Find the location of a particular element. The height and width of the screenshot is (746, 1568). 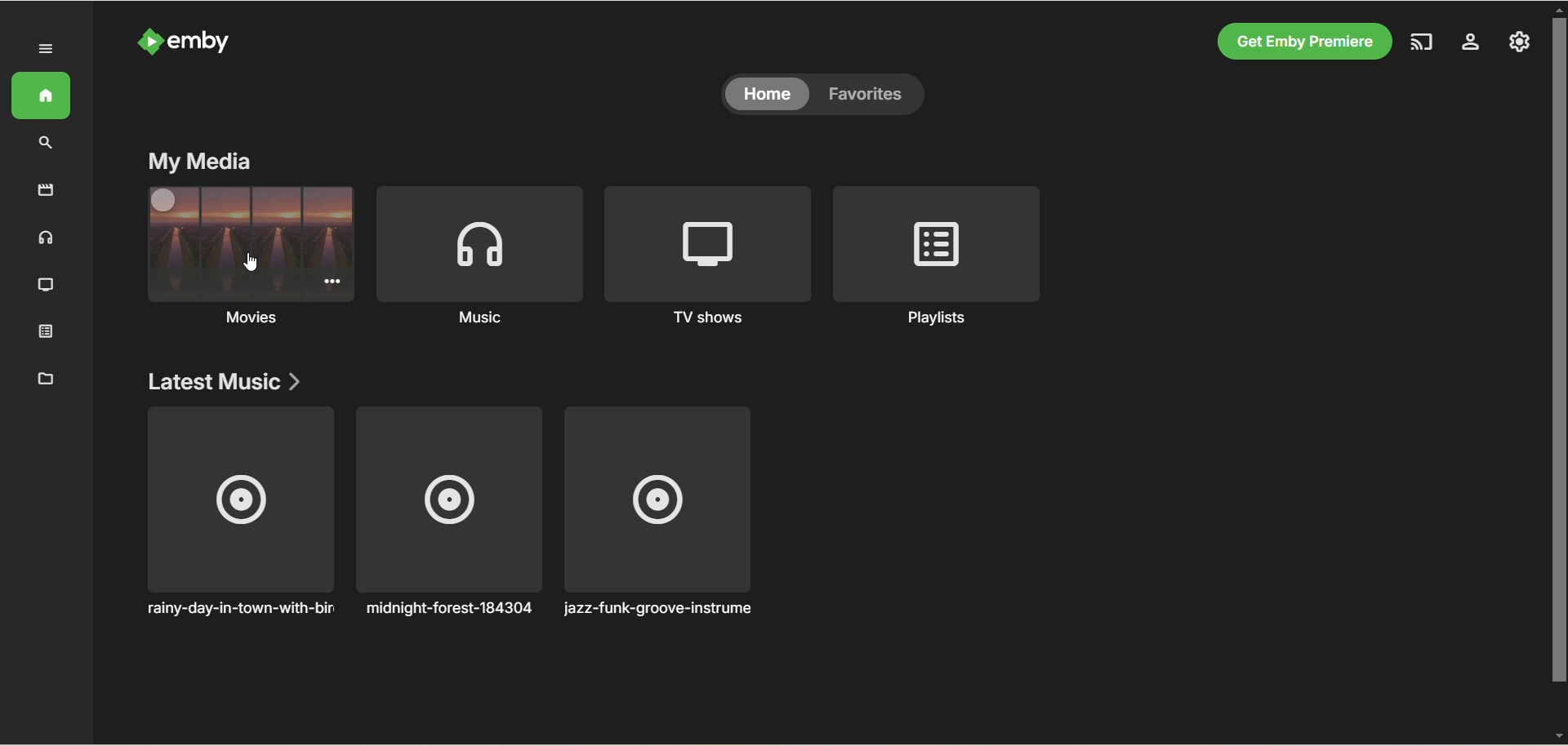

Expand is located at coordinates (47, 50).